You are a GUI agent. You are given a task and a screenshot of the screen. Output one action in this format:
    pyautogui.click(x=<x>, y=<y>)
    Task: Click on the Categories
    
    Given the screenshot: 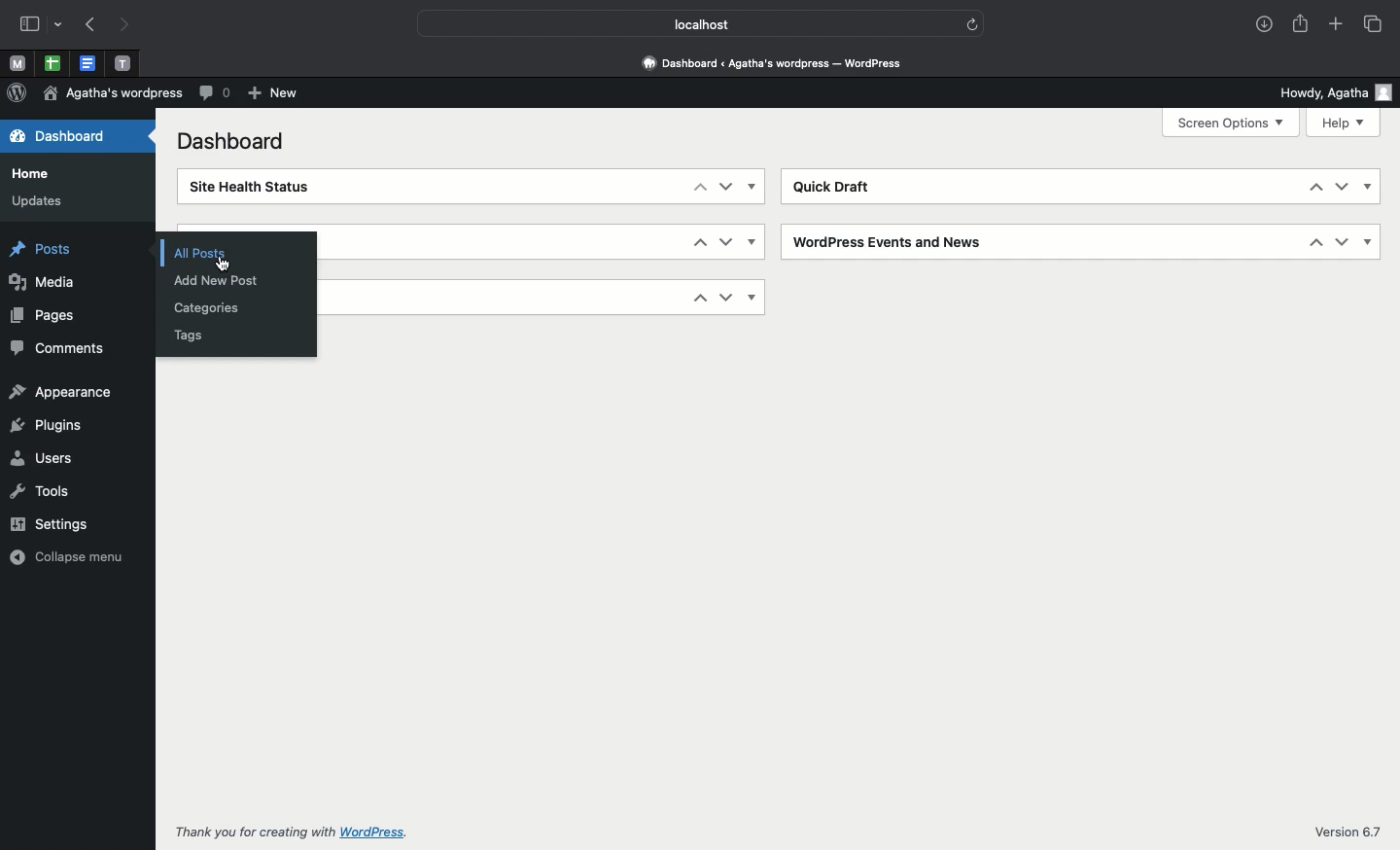 What is the action you would take?
    pyautogui.click(x=201, y=308)
    